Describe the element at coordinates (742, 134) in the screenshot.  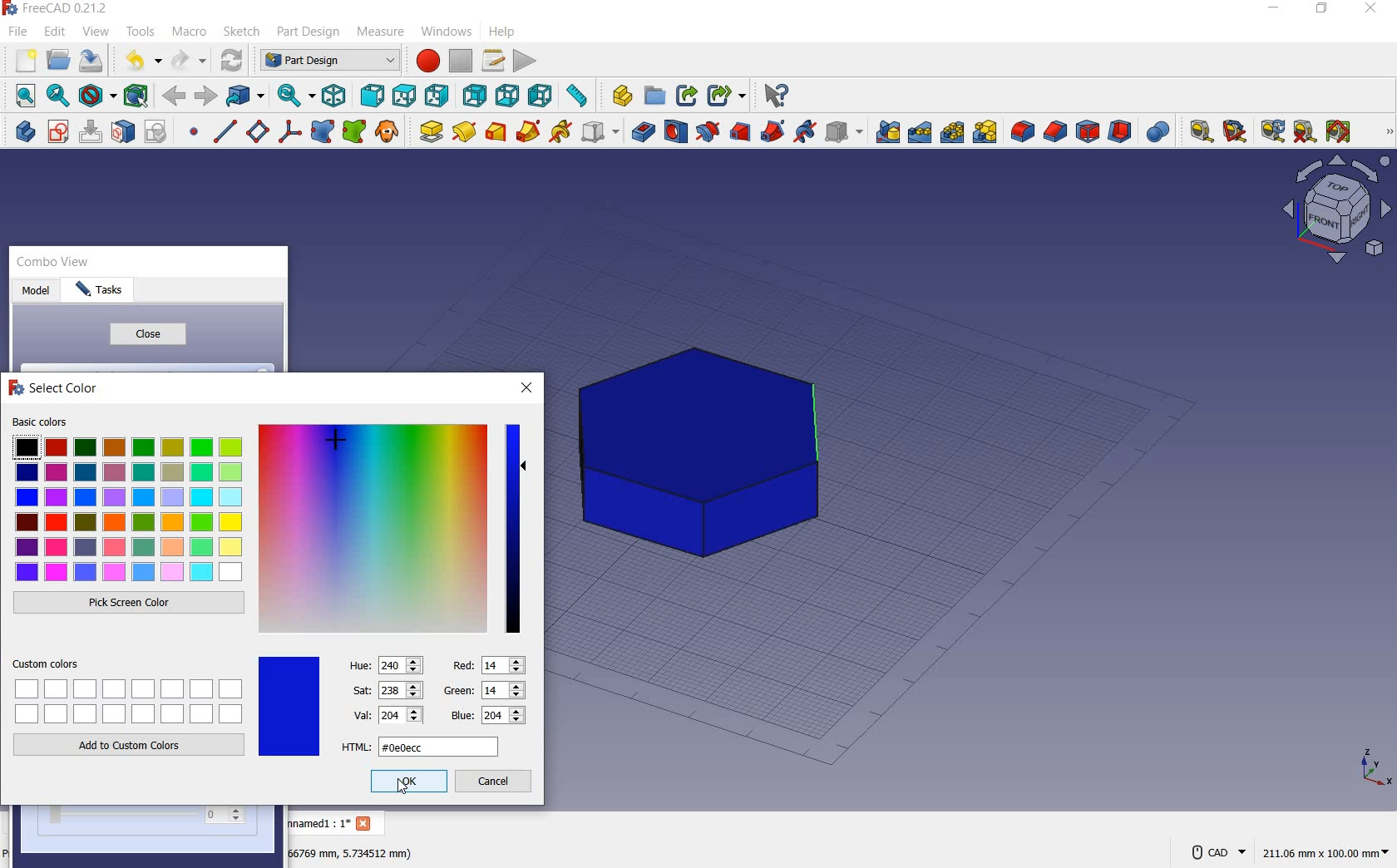
I see `subtractive loft` at that location.